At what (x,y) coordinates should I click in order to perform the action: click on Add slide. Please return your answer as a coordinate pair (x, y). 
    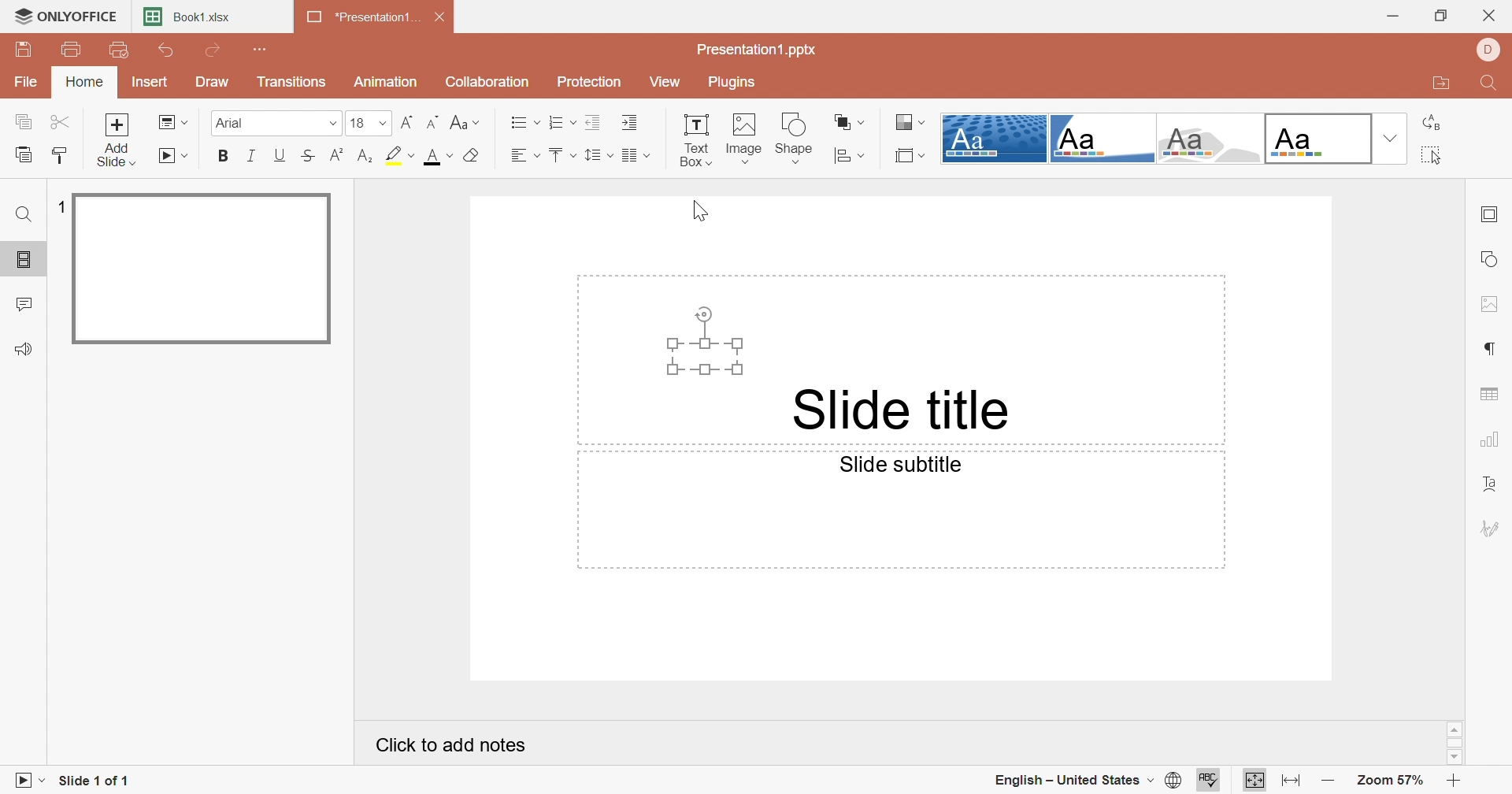
    Looking at the image, I should click on (117, 139).